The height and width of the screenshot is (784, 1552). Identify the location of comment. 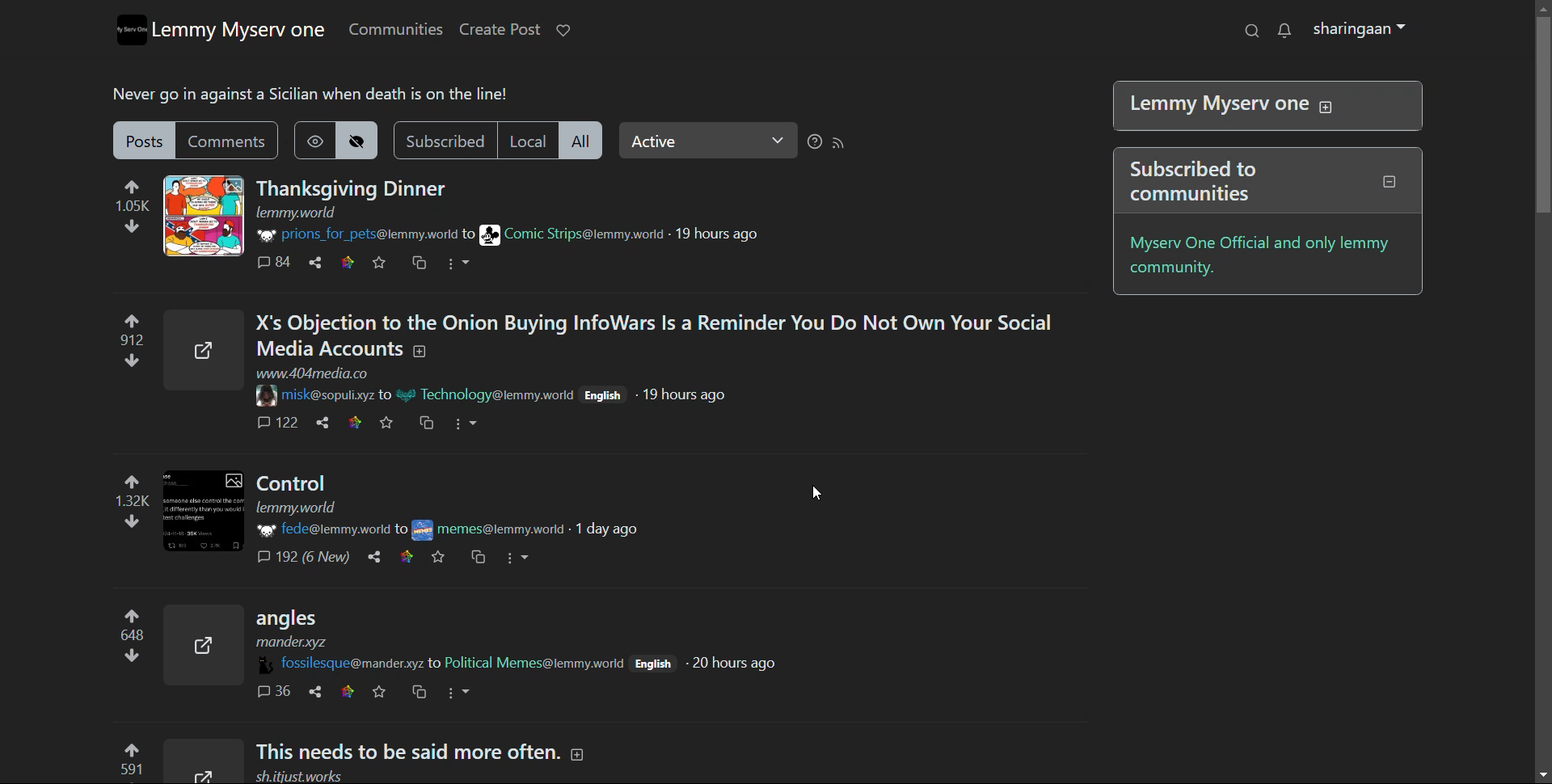
(272, 263).